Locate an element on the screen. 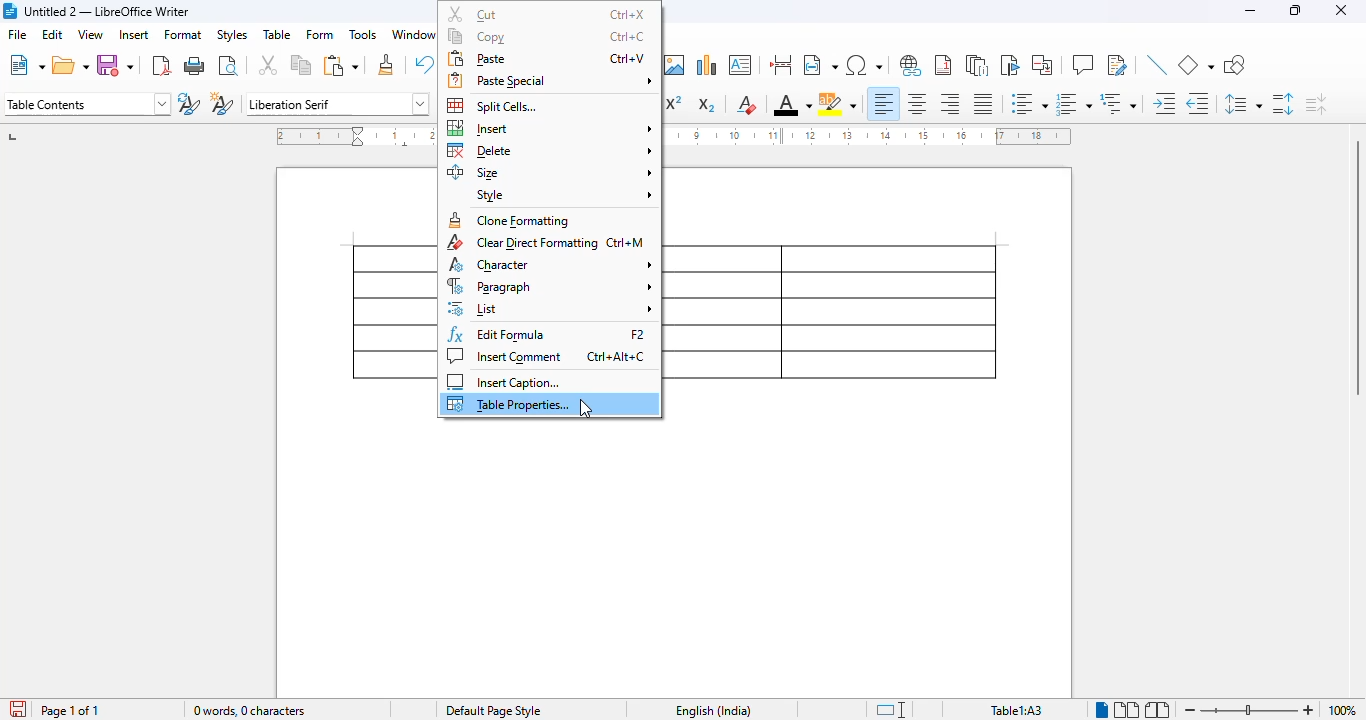 This screenshot has width=1366, height=720. insert endnote is located at coordinates (978, 64).